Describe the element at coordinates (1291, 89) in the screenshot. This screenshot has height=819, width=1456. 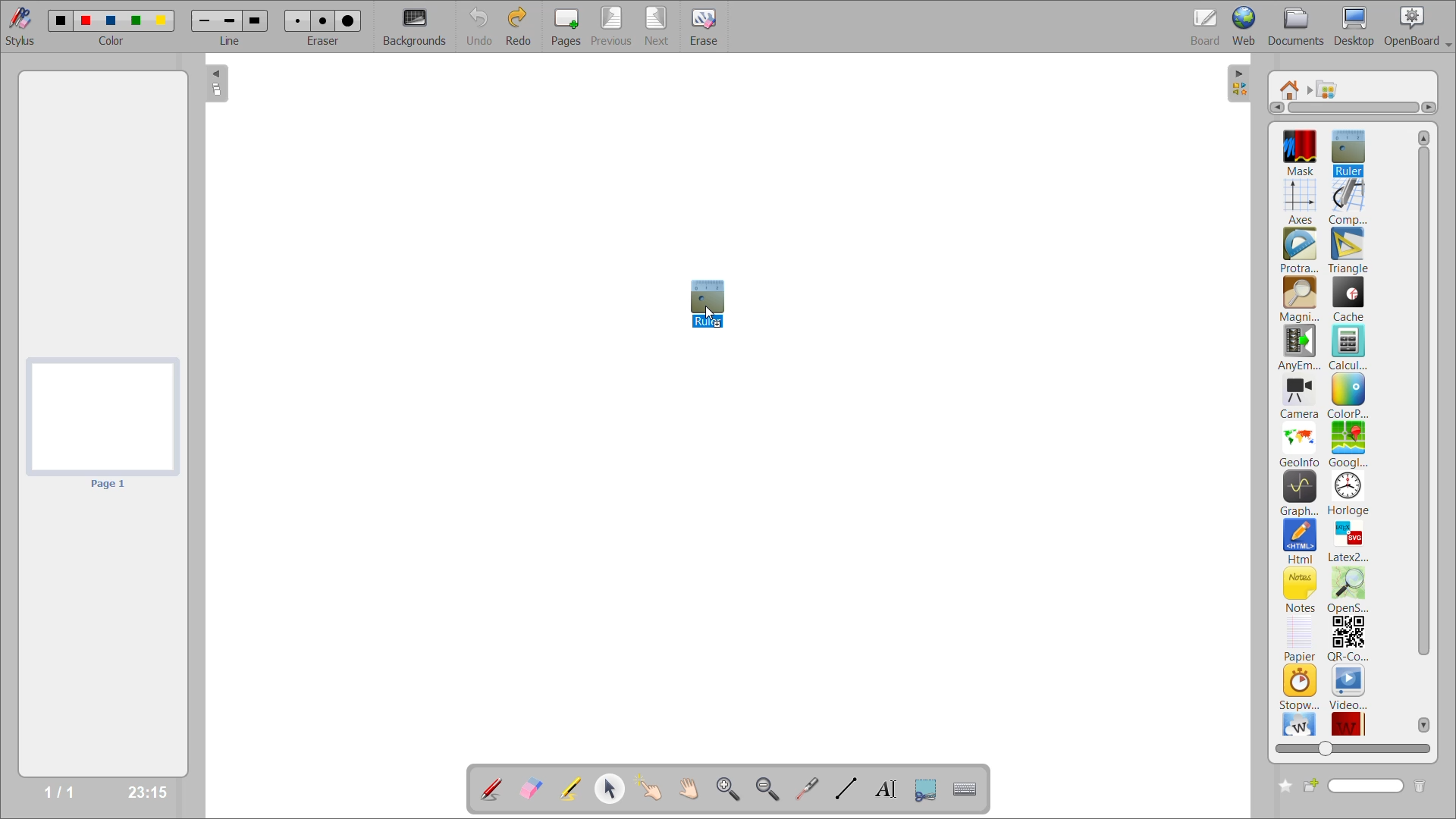
I see `root` at that location.